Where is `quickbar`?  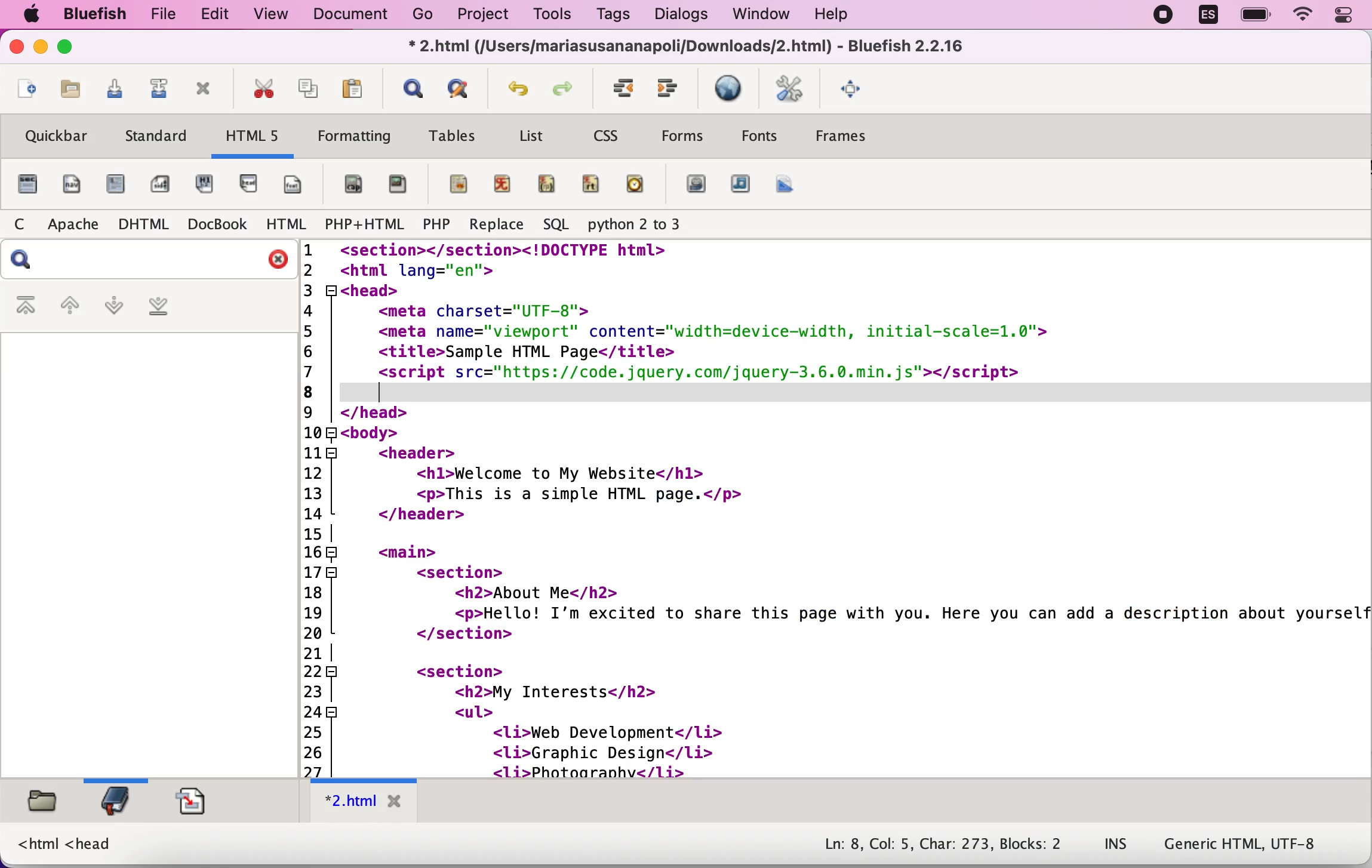 quickbar is located at coordinates (57, 136).